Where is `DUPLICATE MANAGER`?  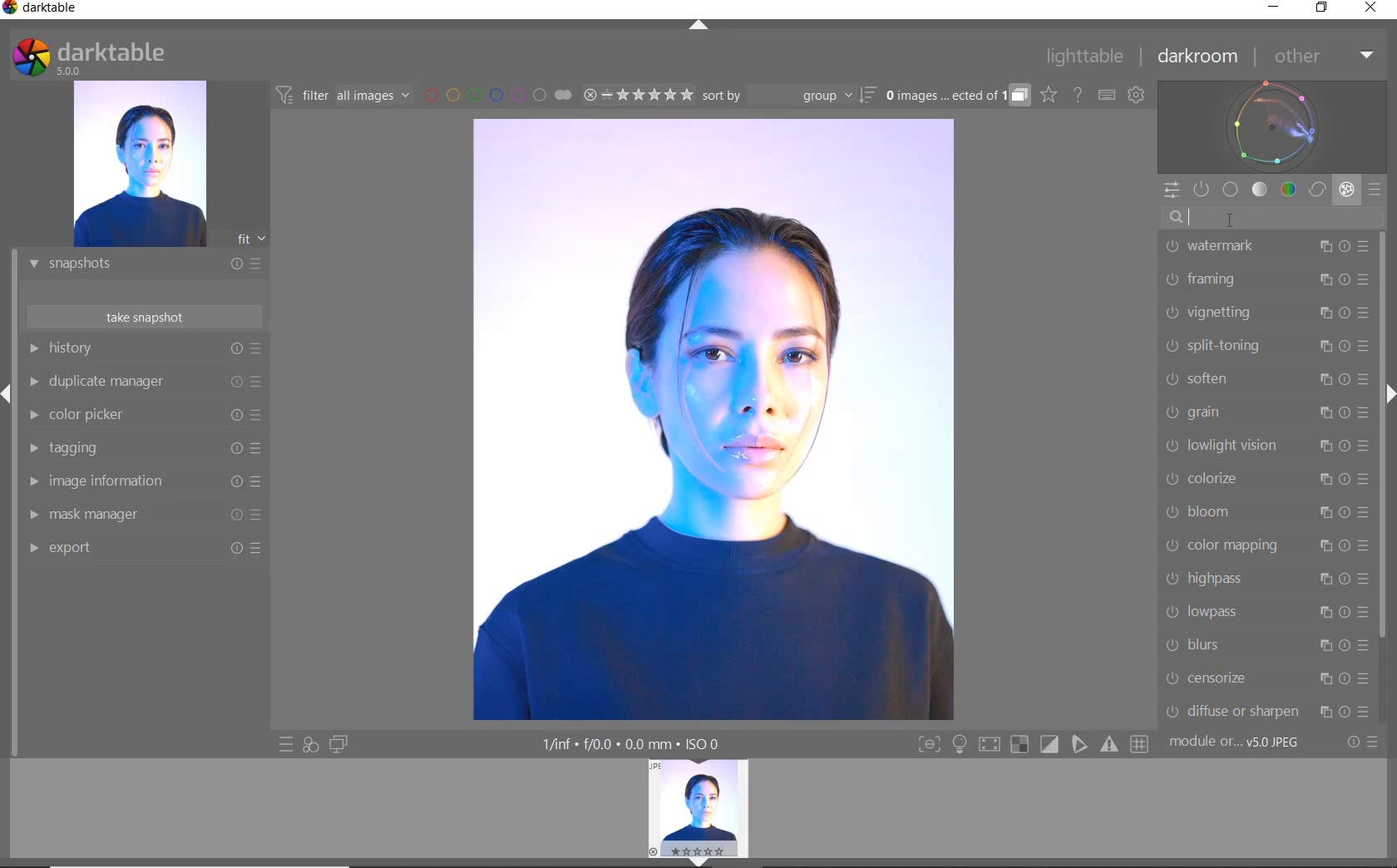
DUPLICATE MANAGER is located at coordinates (143, 382).